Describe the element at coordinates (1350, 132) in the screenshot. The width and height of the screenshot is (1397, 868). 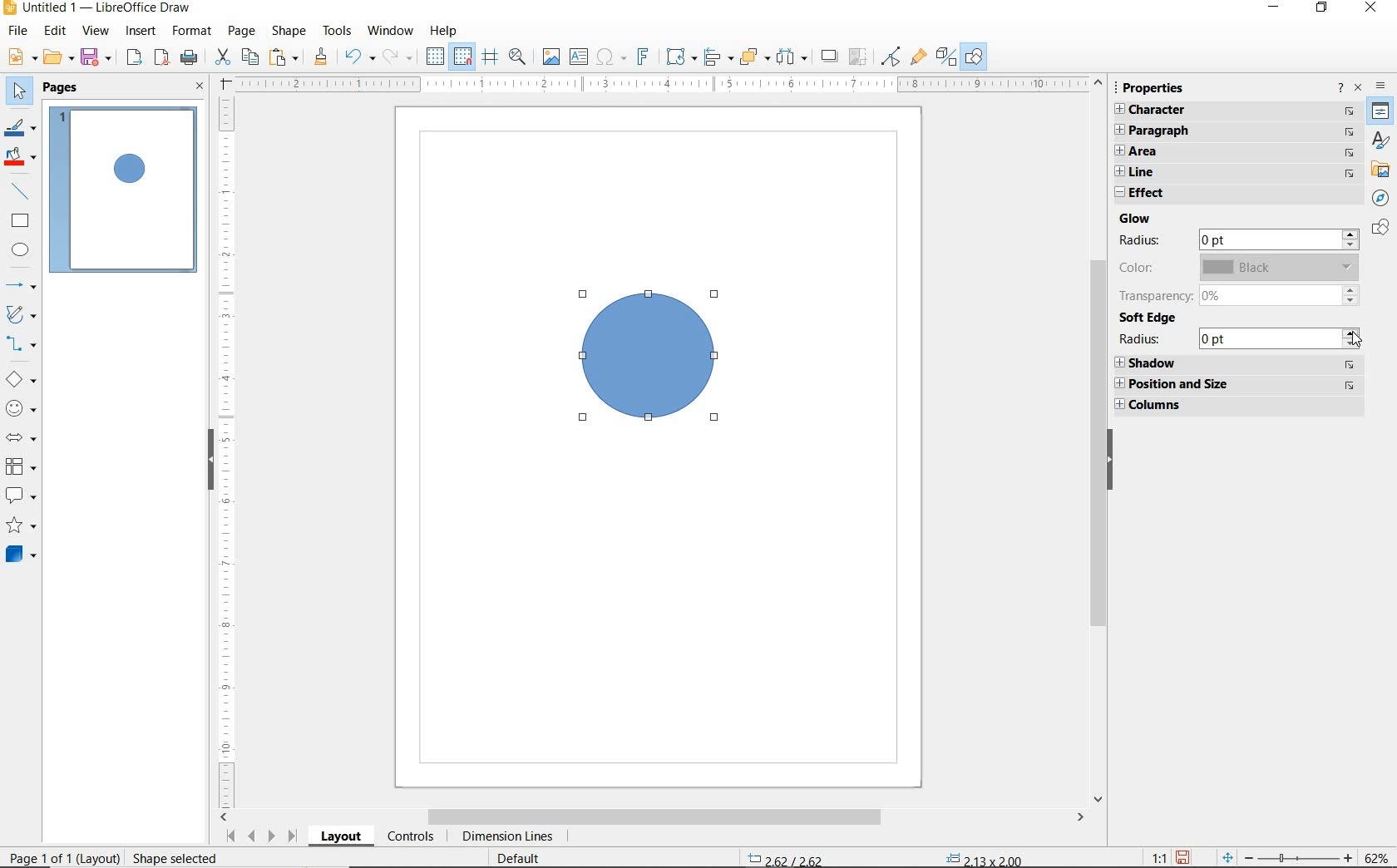
I see `navigate` at that location.